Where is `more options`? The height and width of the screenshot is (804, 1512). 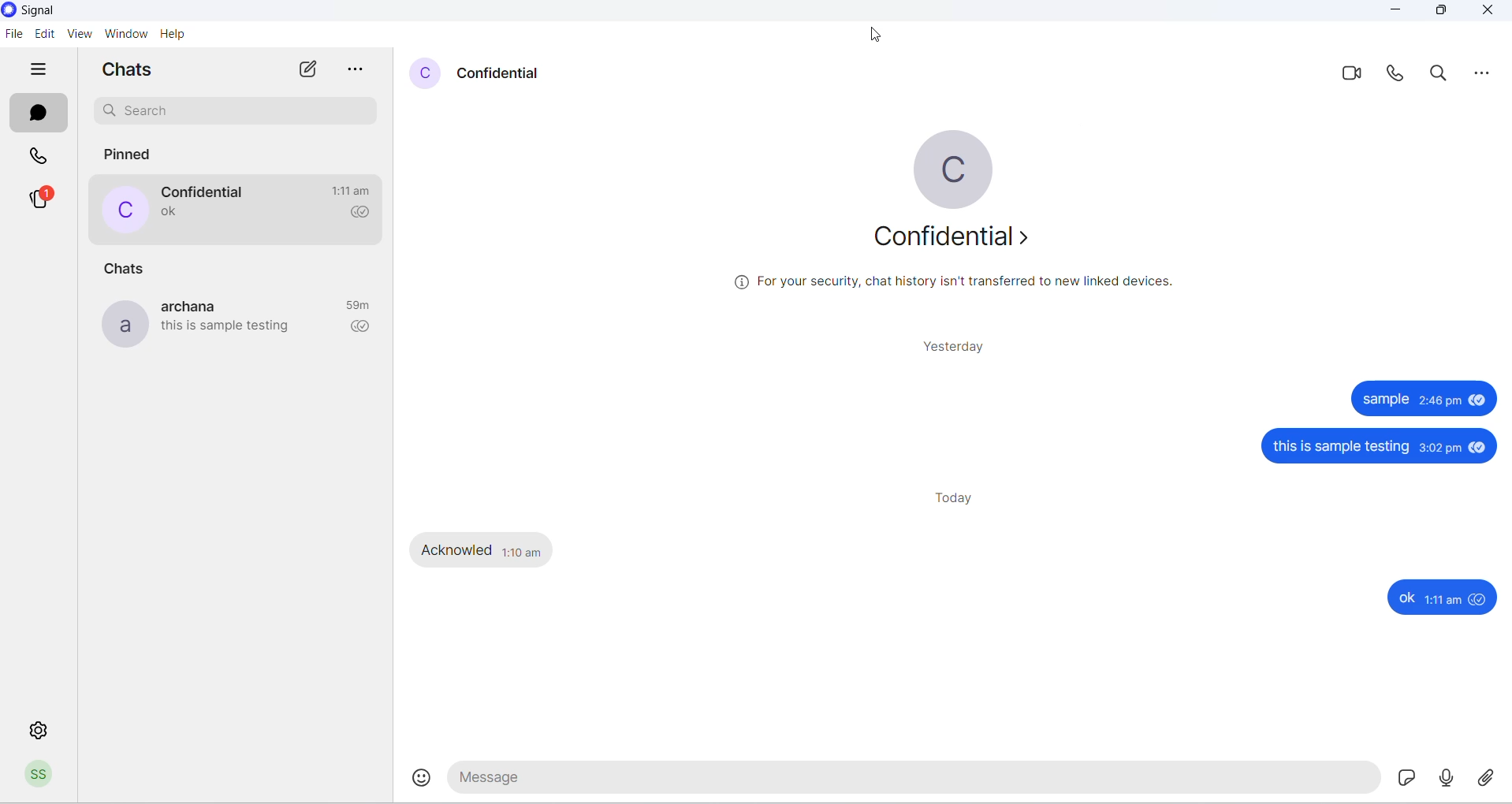
more options is located at coordinates (1487, 76).